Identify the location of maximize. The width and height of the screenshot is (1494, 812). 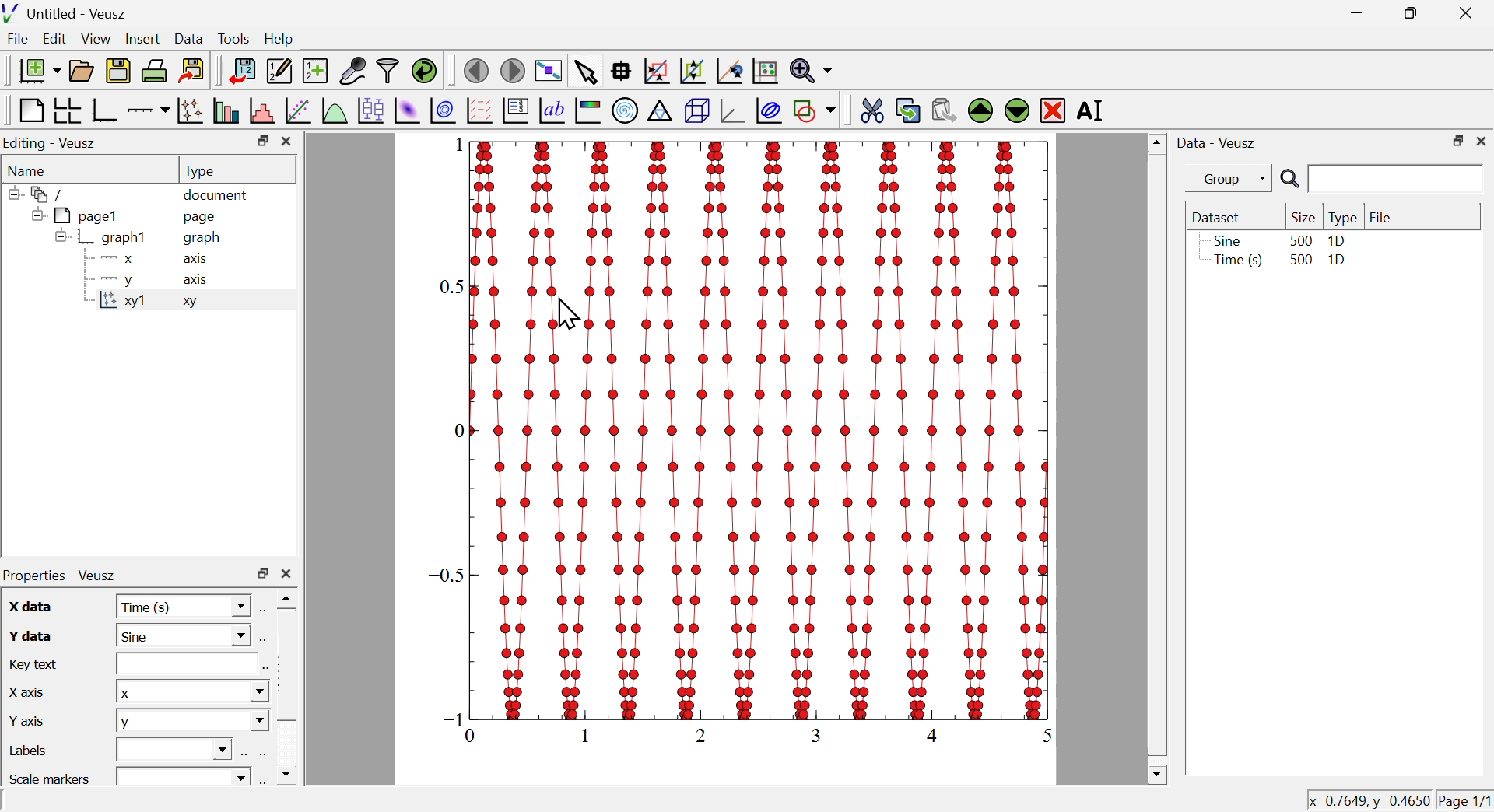
(1407, 14).